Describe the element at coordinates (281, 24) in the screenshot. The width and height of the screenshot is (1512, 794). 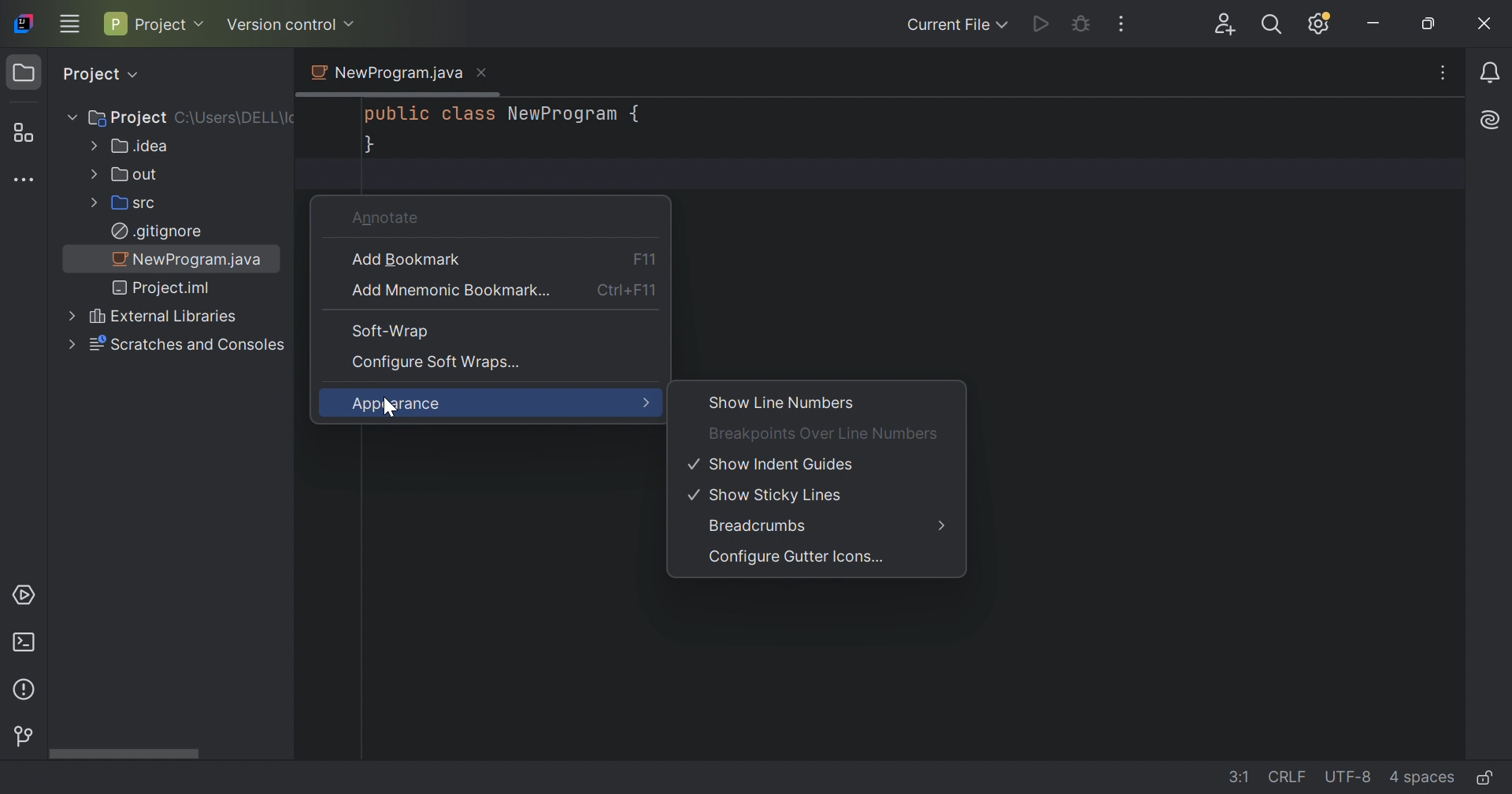
I see `Version control` at that location.